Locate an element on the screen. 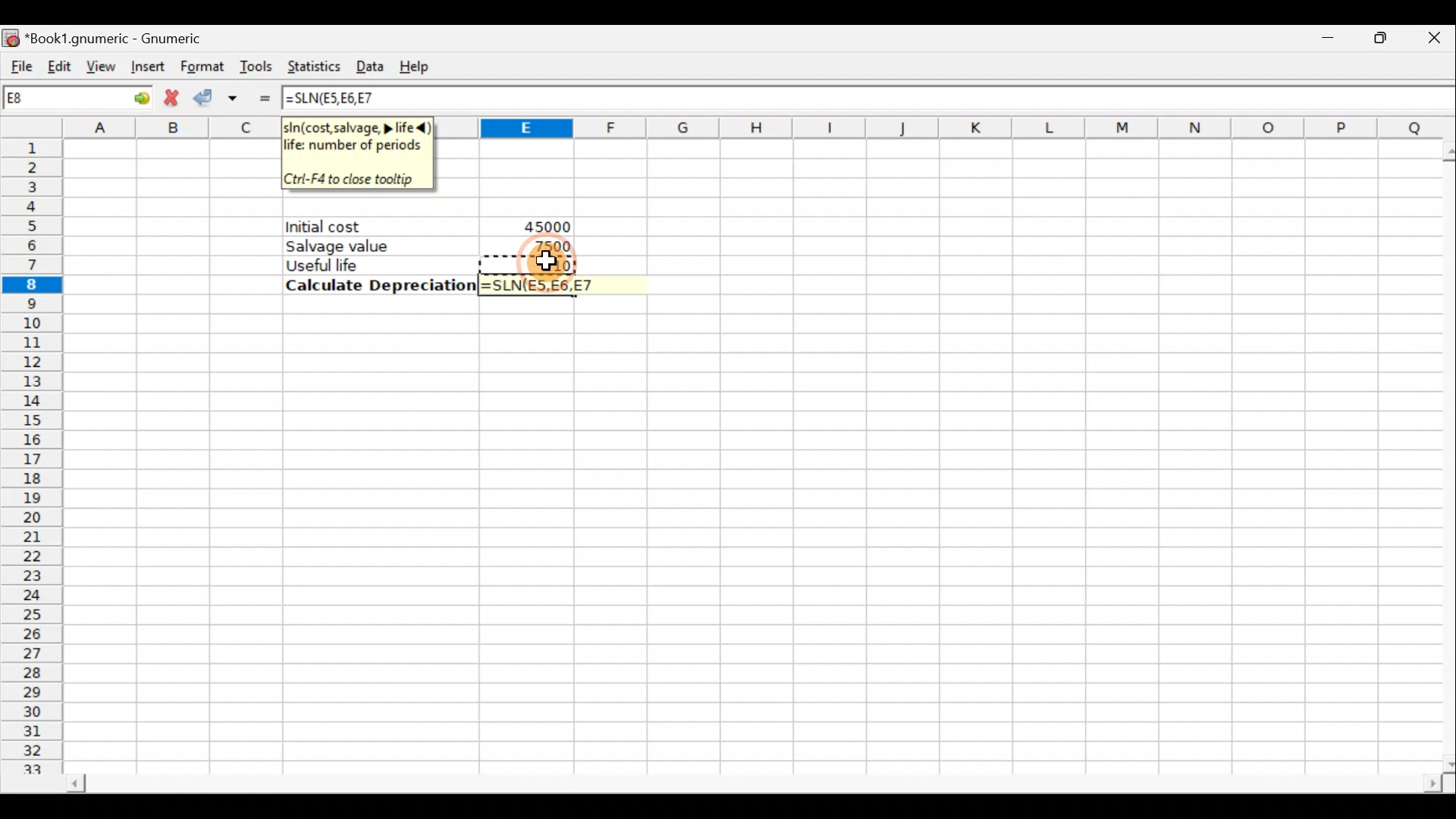 This screenshot has height=819, width=1456. Data is located at coordinates (372, 66).